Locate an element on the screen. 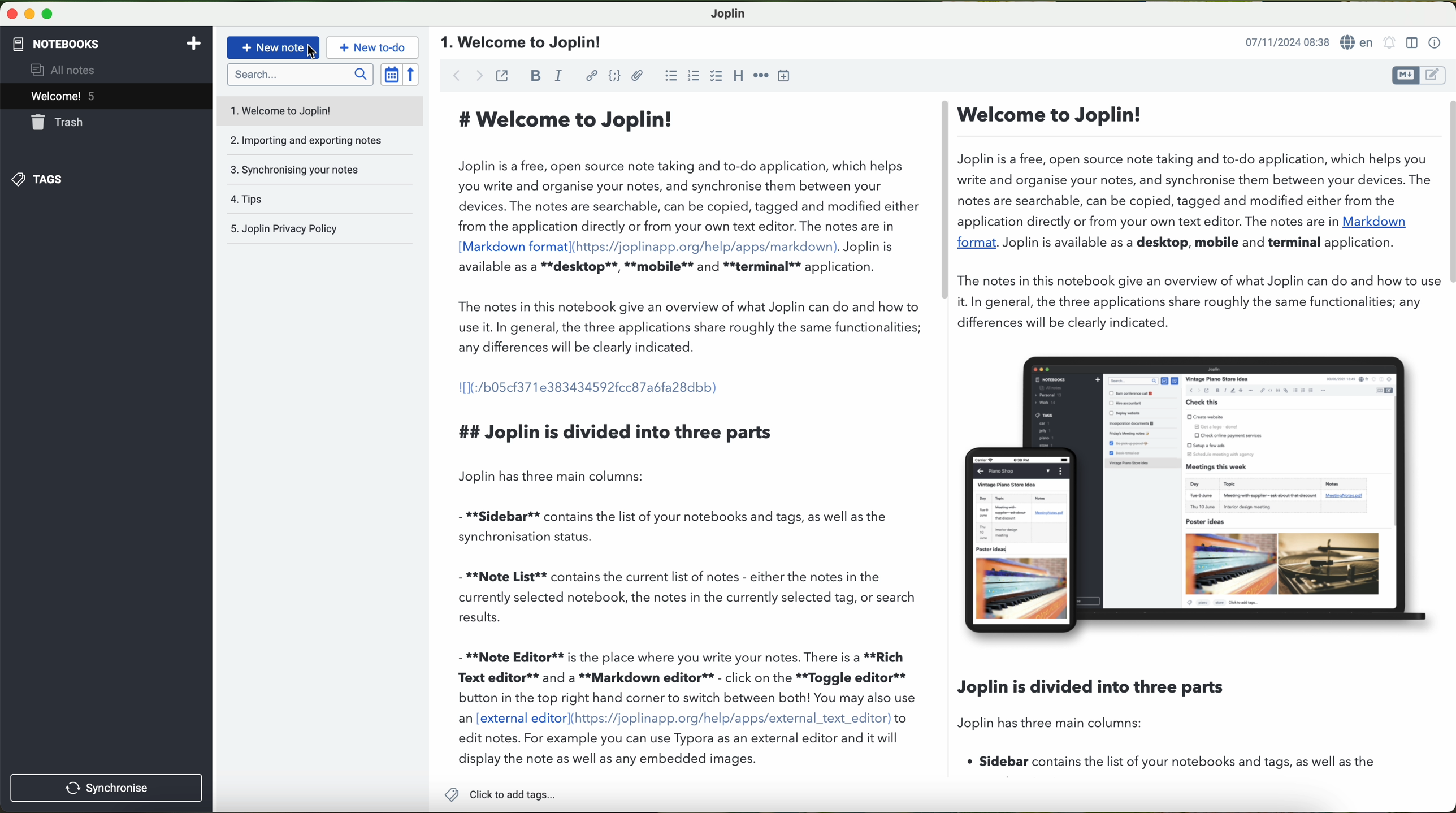 The image size is (1456, 813). date and hour is located at coordinates (1287, 41).